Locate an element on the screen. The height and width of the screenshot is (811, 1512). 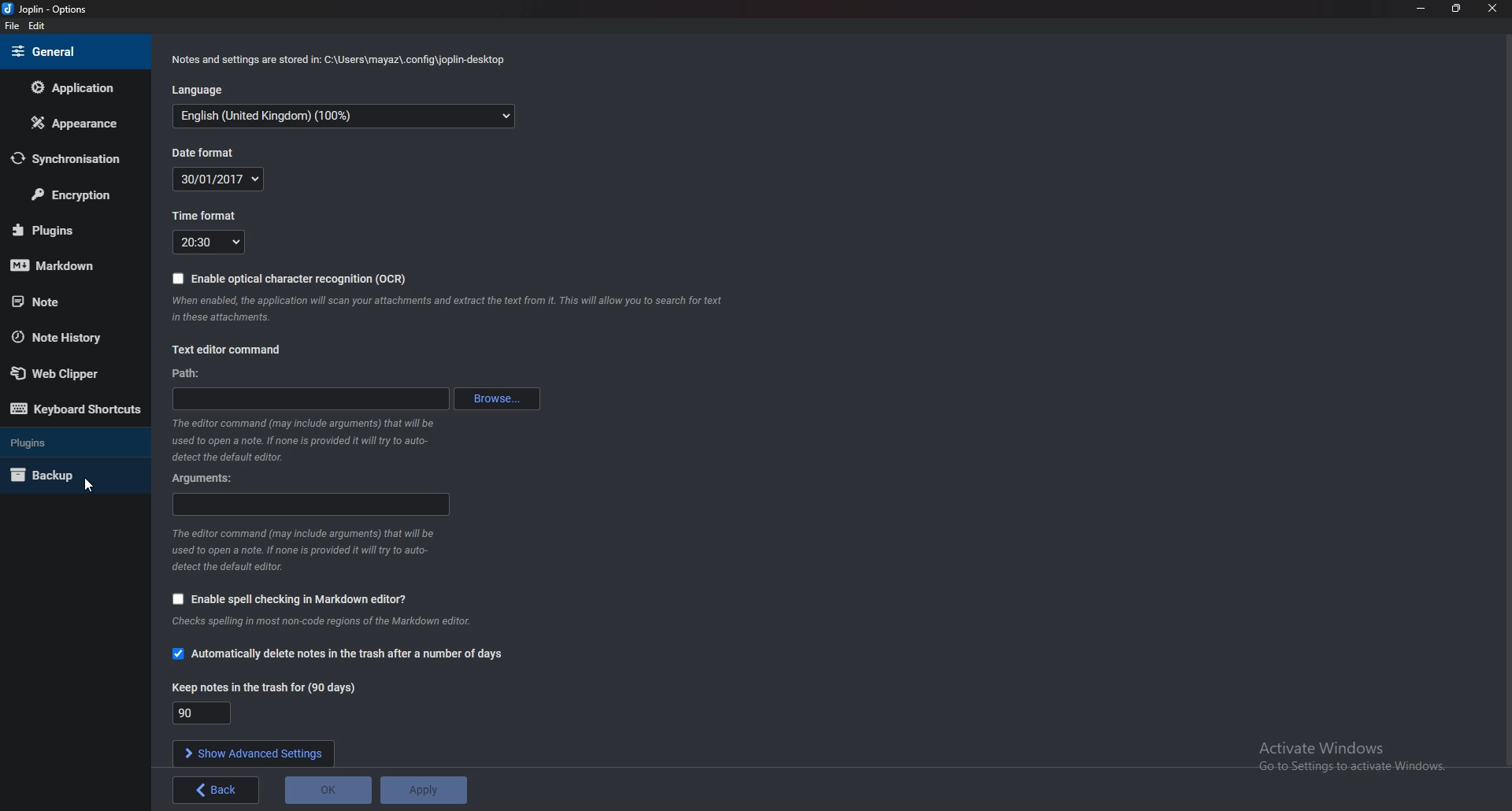
Time format is located at coordinates (212, 243).